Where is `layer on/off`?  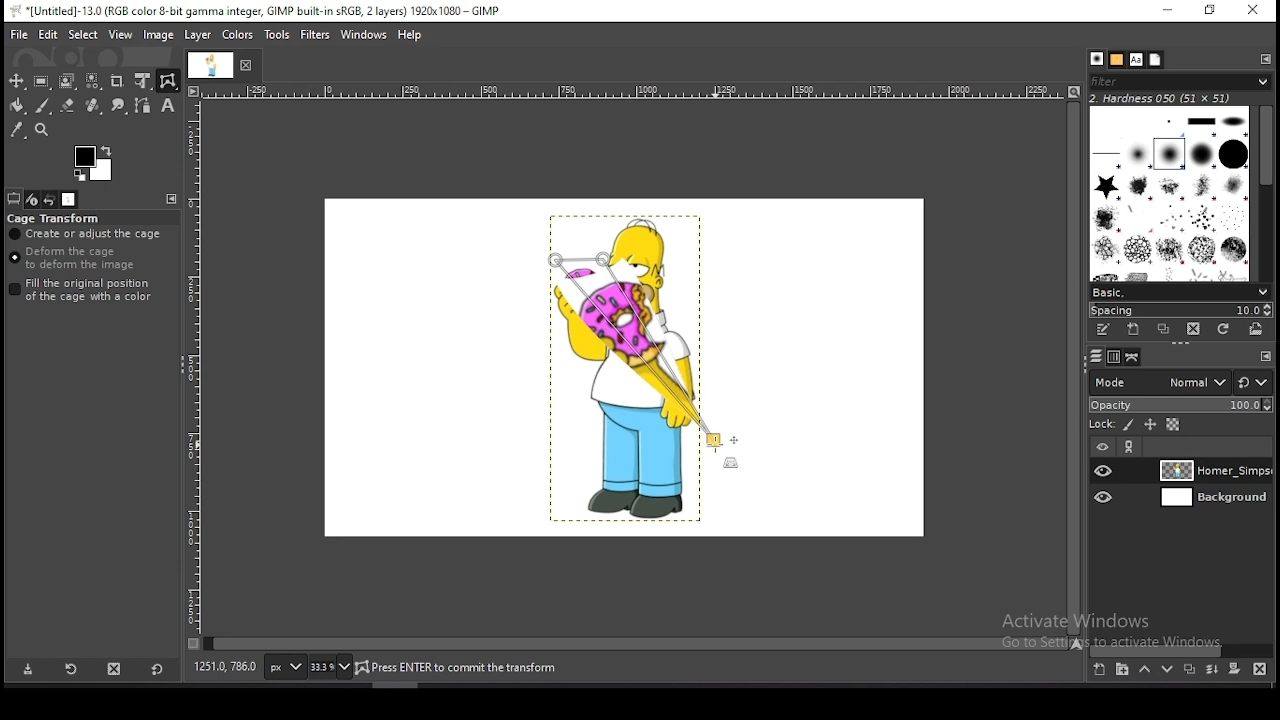
layer on/off is located at coordinates (1102, 446).